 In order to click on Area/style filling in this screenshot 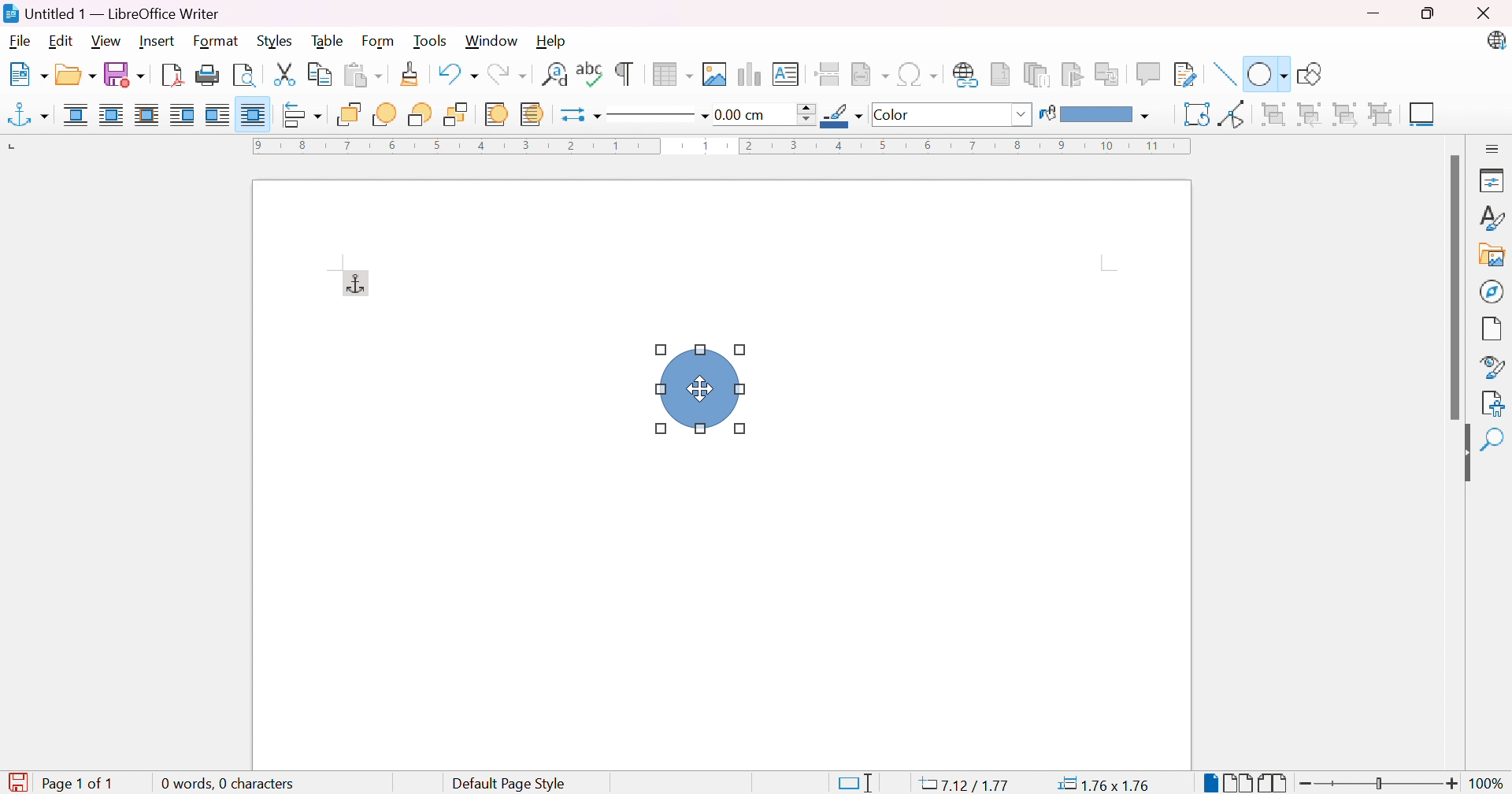, I will do `click(943, 115)`.